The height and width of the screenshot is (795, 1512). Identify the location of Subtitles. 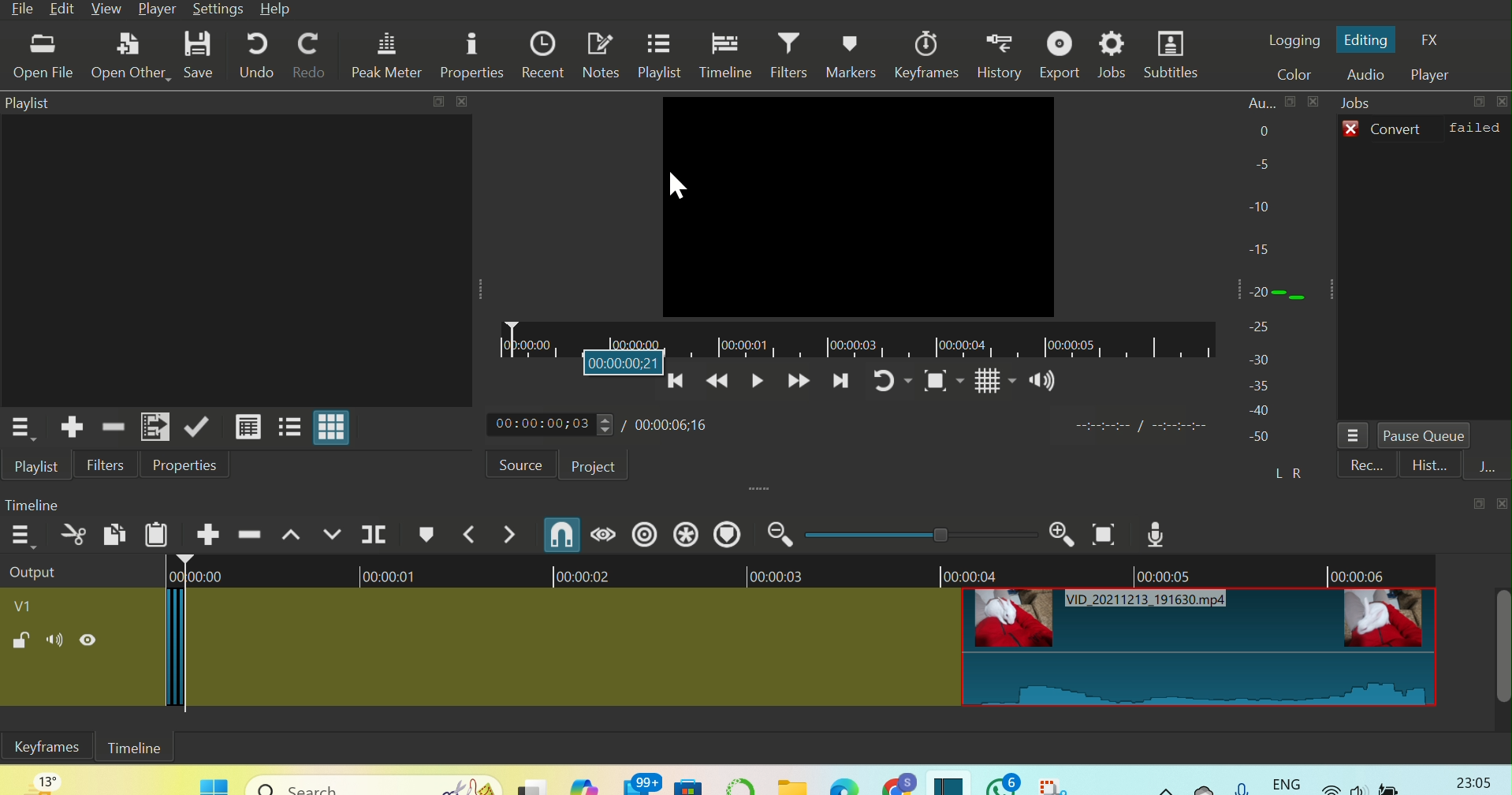
(1174, 54).